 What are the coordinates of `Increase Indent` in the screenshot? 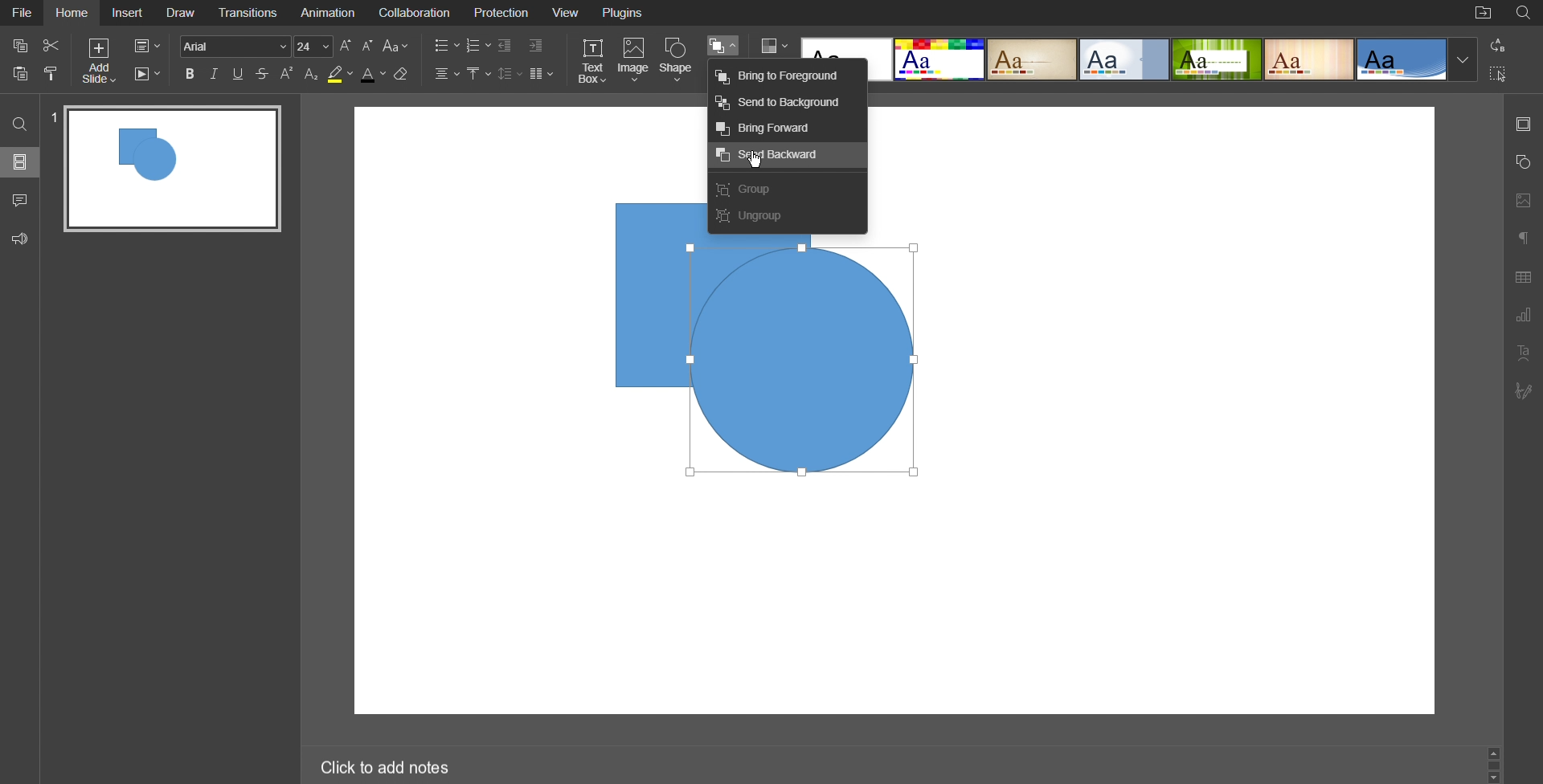 It's located at (536, 46).